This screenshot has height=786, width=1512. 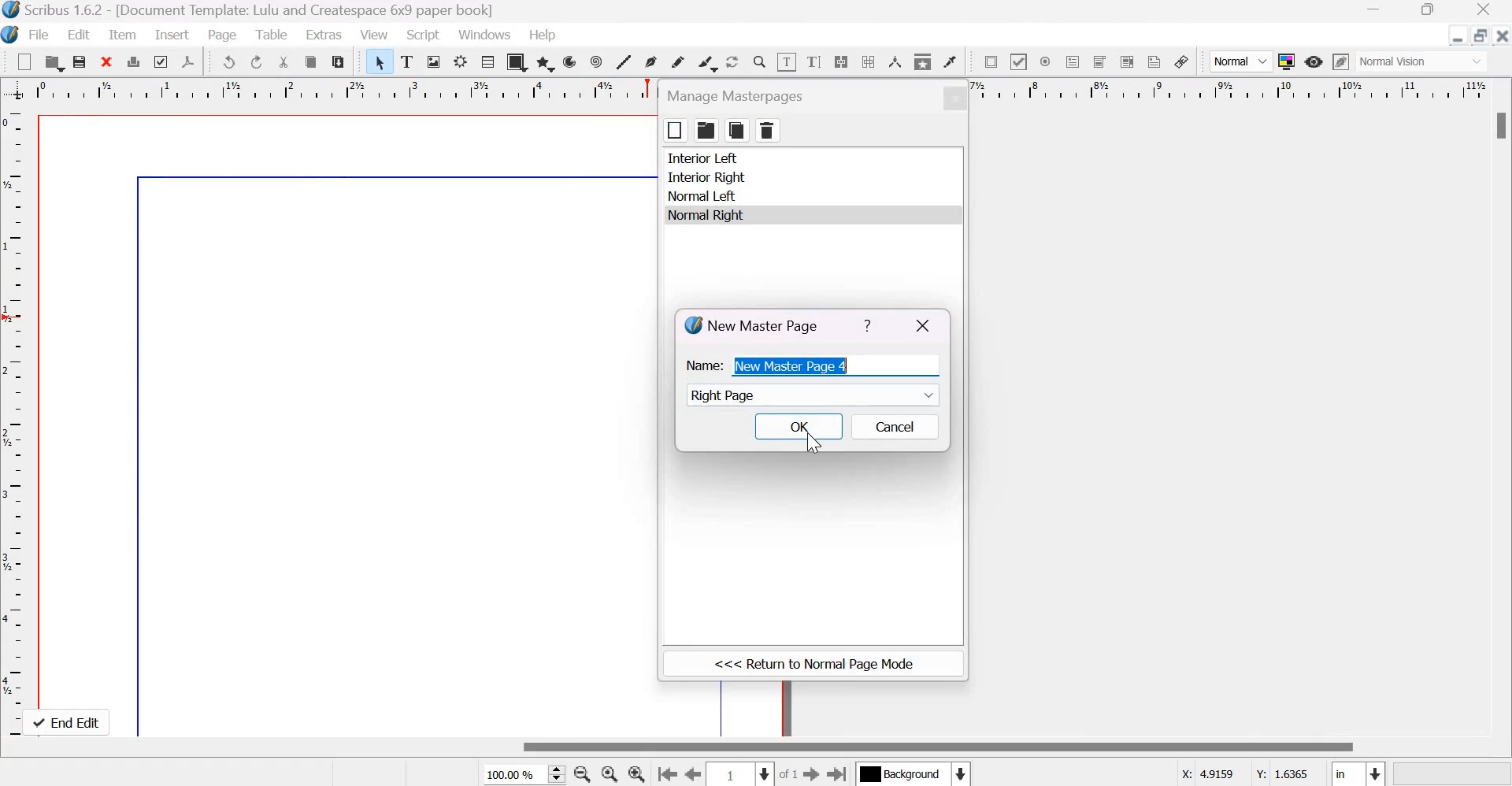 What do you see at coordinates (81, 33) in the screenshot?
I see `Edit` at bounding box center [81, 33].